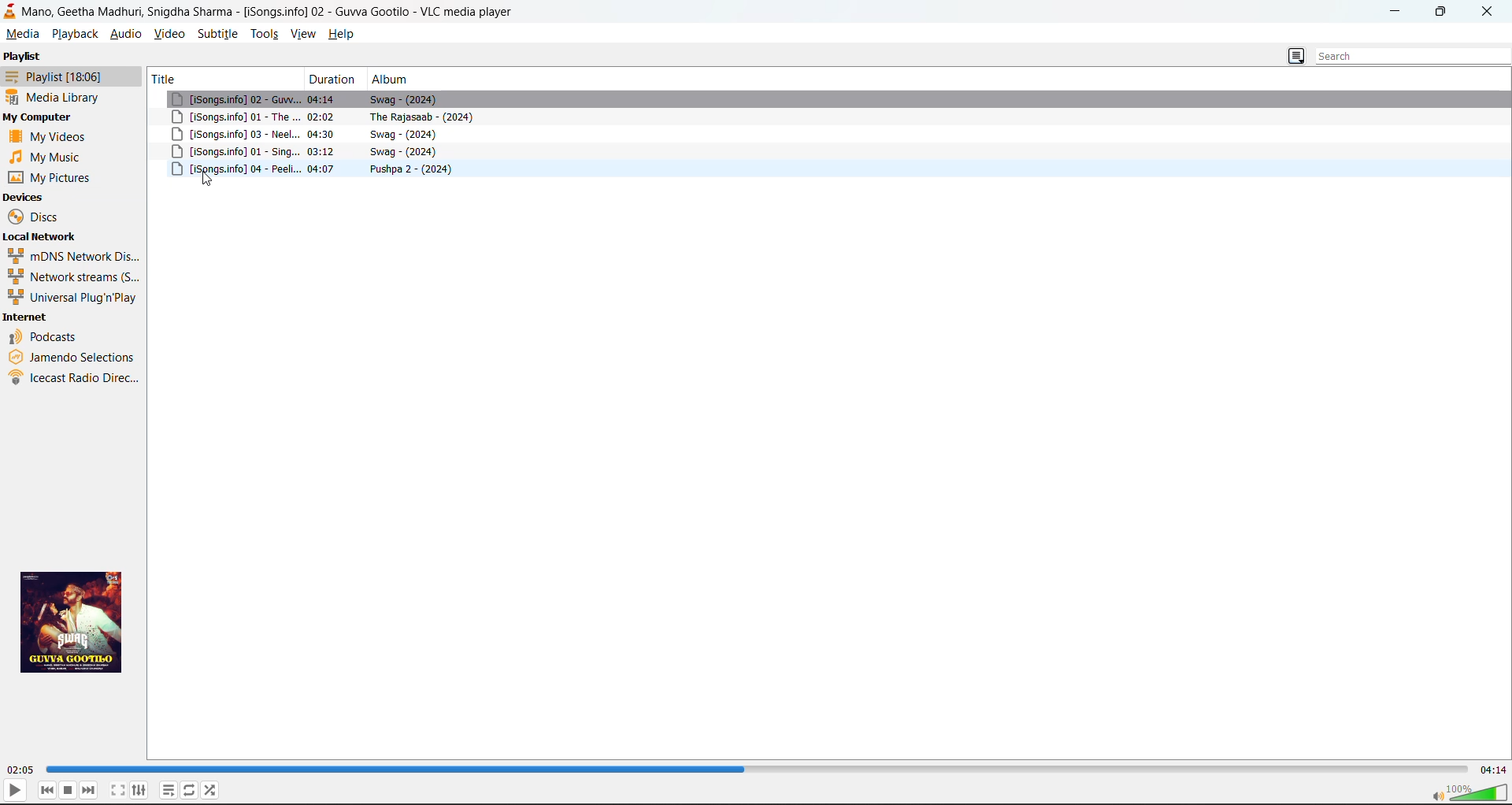  Describe the element at coordinates (51, 135) in the screenshot. I see `videos` at that location.